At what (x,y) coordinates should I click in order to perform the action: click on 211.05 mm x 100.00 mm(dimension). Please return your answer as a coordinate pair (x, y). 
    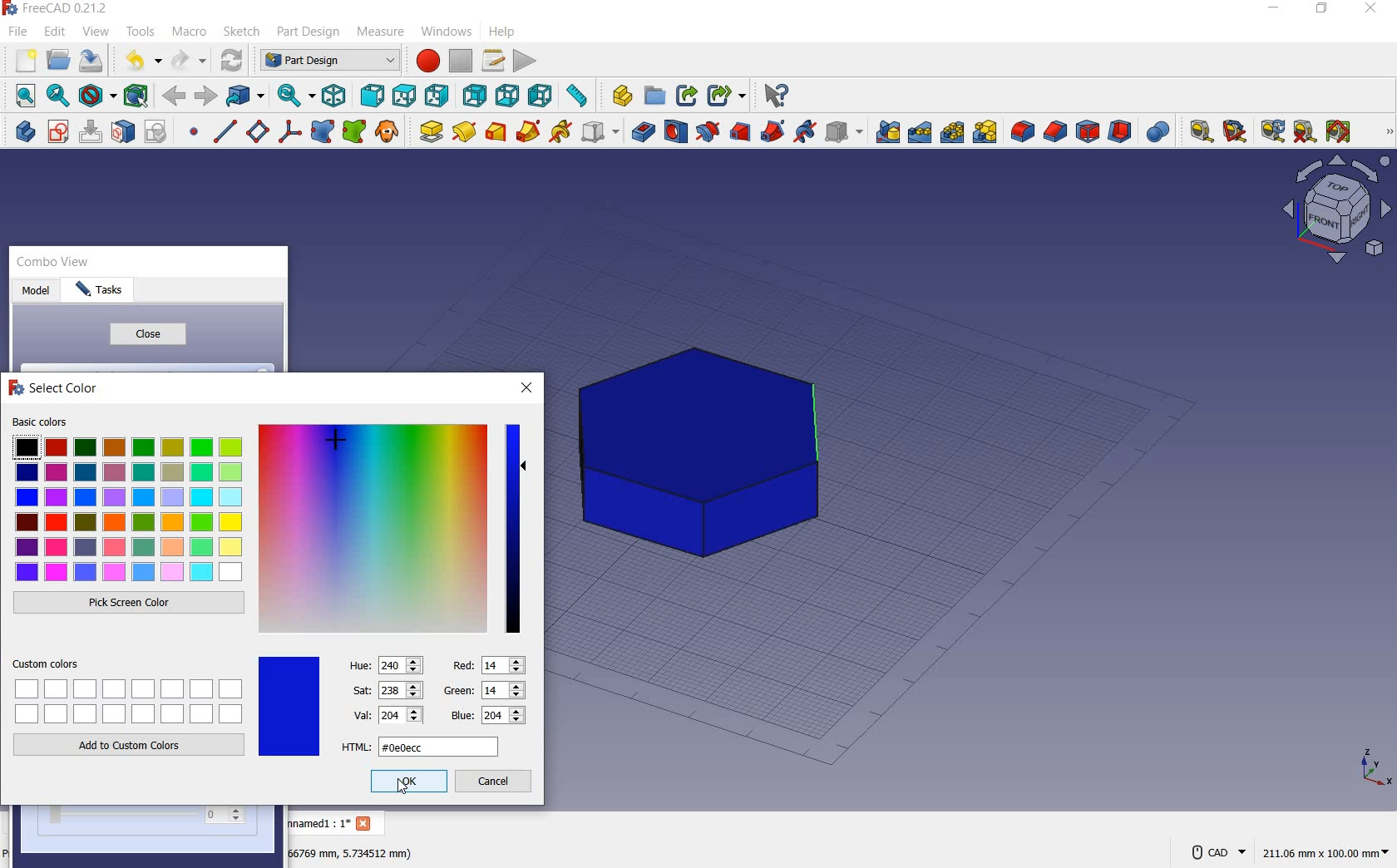
    Looking at the image, I should click on (1325, 855).